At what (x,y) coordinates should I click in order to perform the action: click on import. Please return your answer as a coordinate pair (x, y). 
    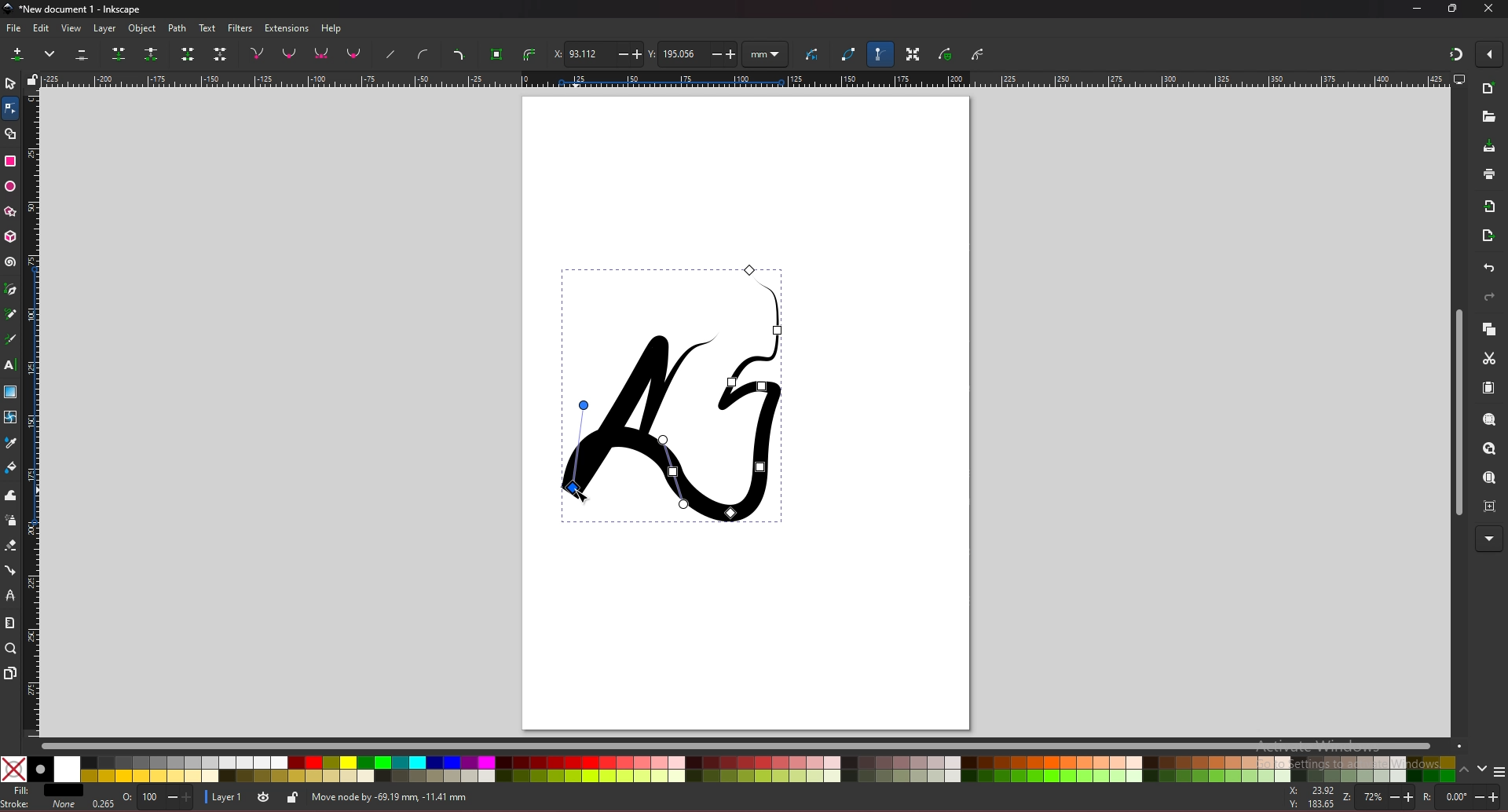
    Looking at the image, I should click on (1490, 207).